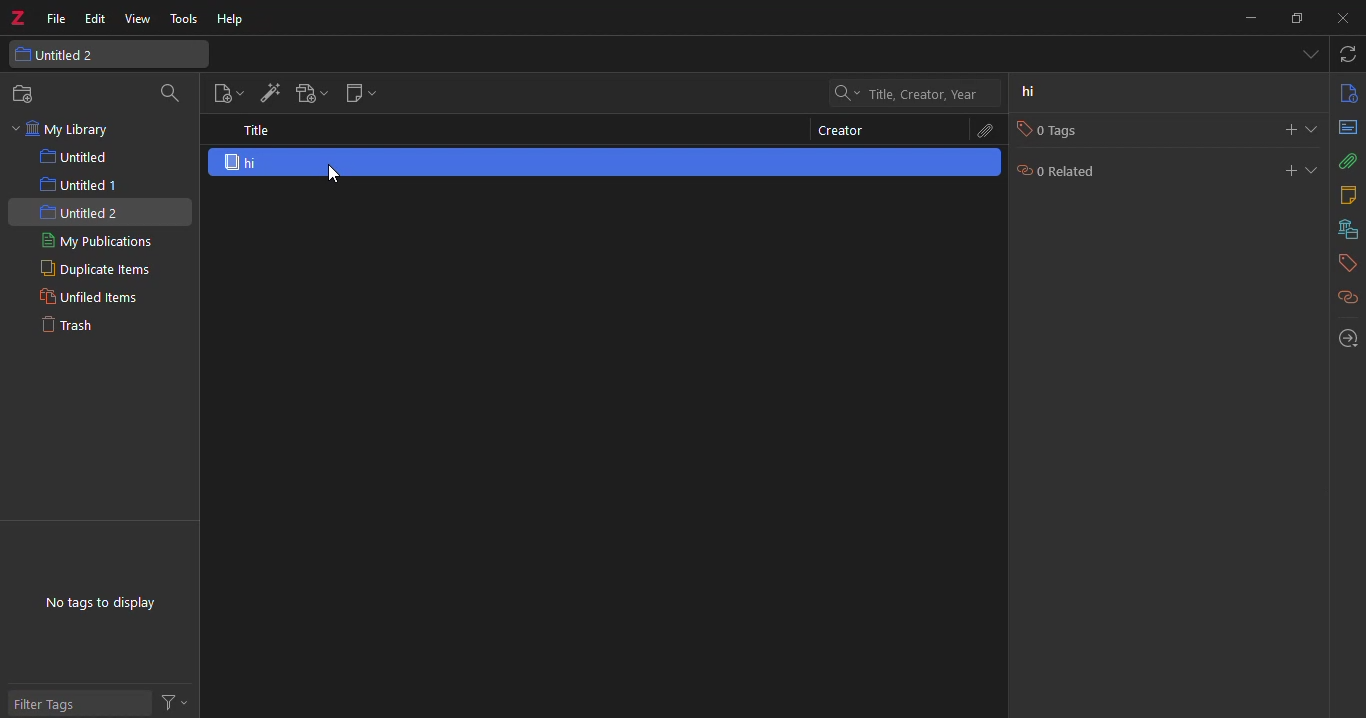 This screenshot has width=1366, height=718. What do you see at coordinates (79, 183) in the screenshot?
I see `untitled 1` at bounding box center [79, 183].